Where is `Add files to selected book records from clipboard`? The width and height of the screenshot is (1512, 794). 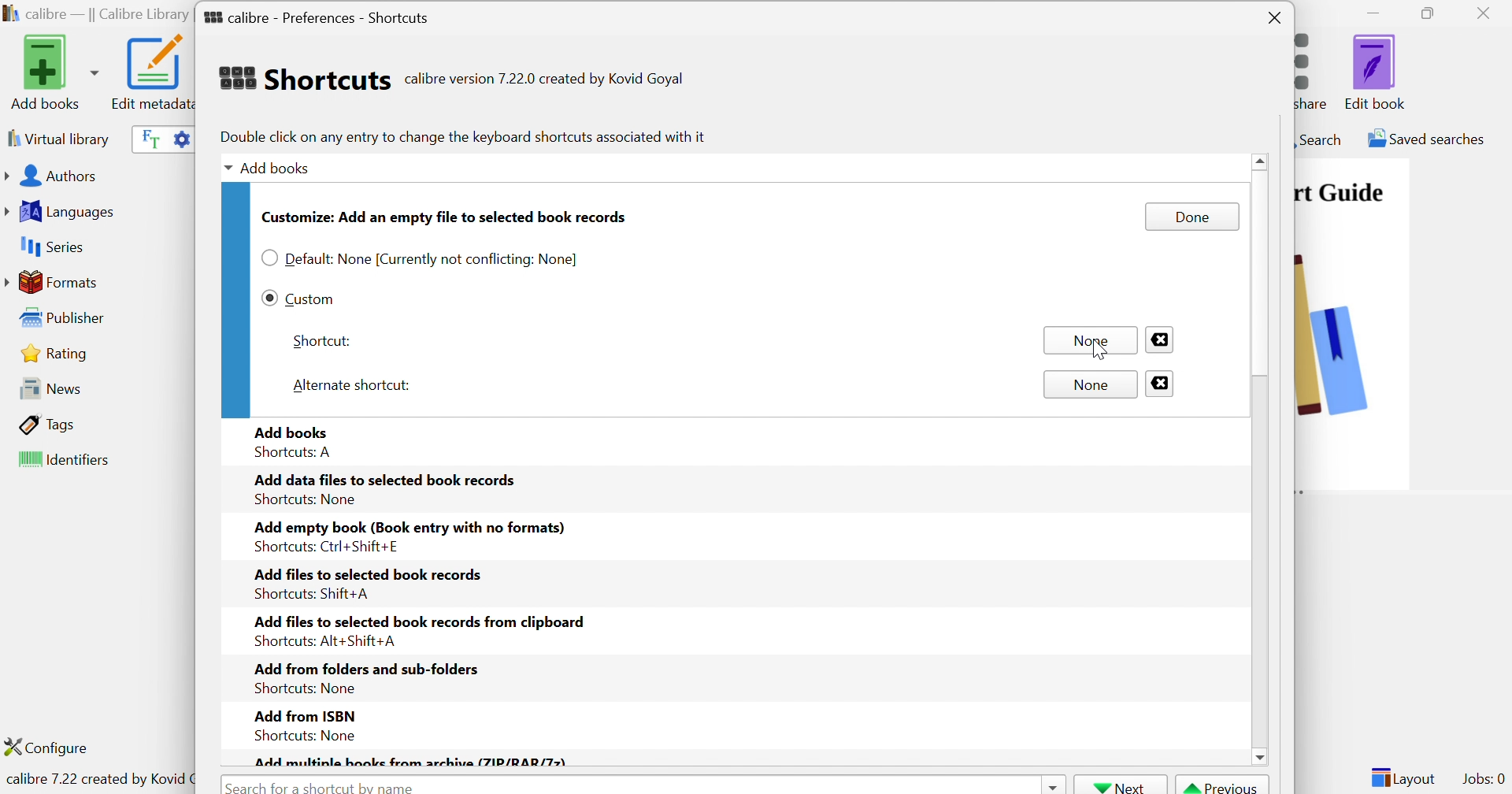 Add files to selected book records from clipboard is located at coordinates (423, 621).